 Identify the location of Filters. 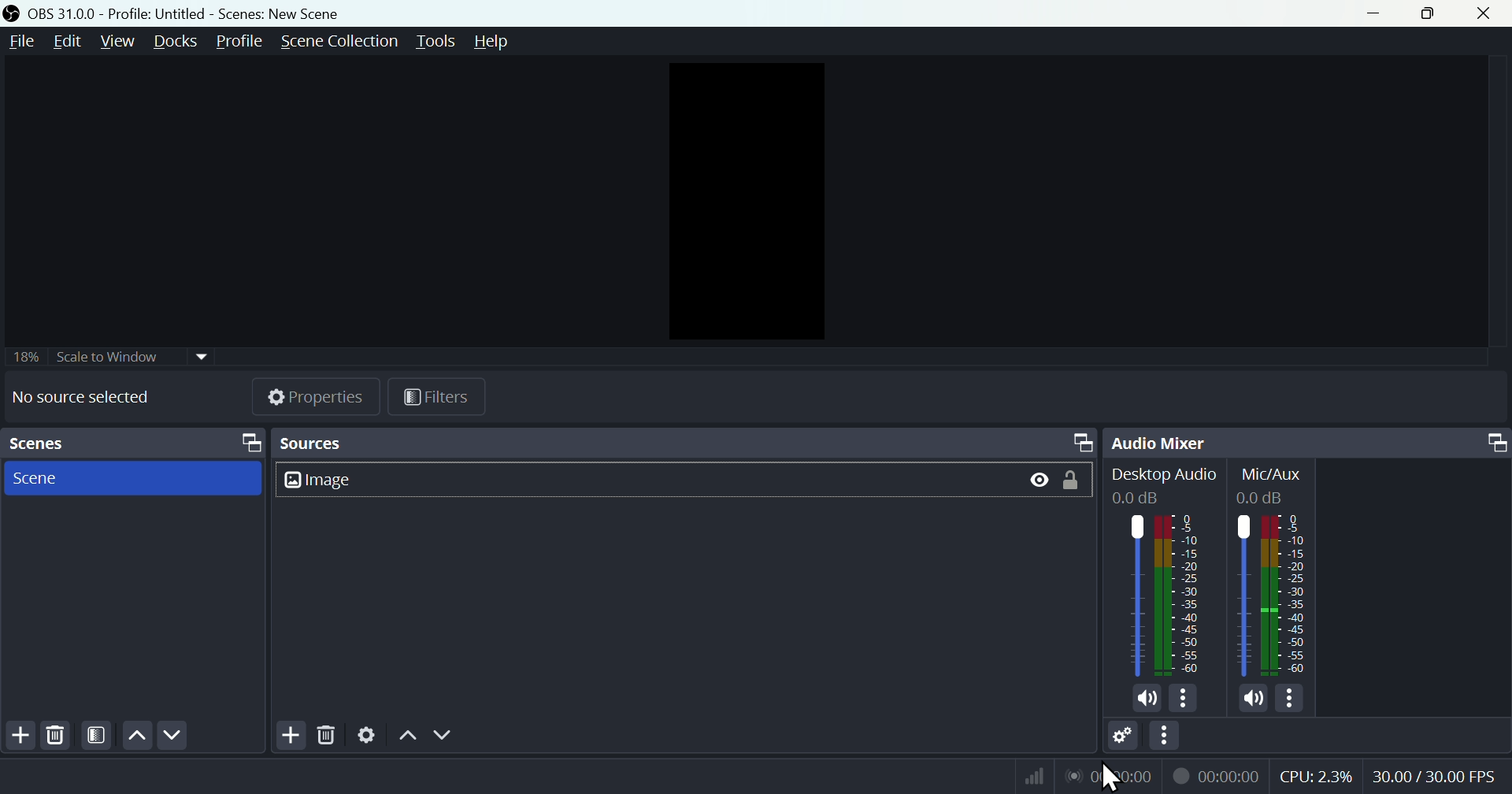
(435, 395).